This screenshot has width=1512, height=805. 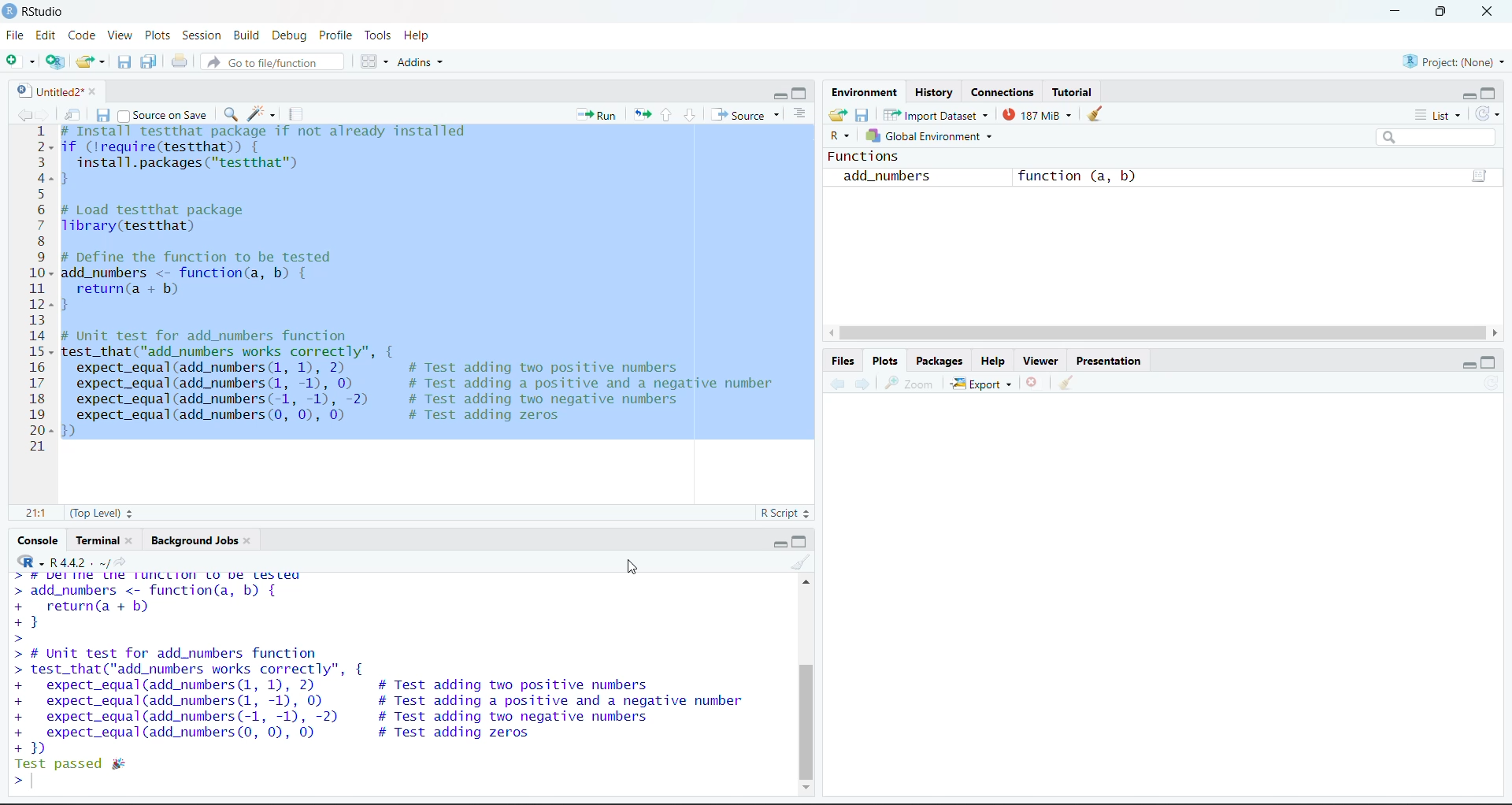 I want to click on Code, so click(x=81, y=35).